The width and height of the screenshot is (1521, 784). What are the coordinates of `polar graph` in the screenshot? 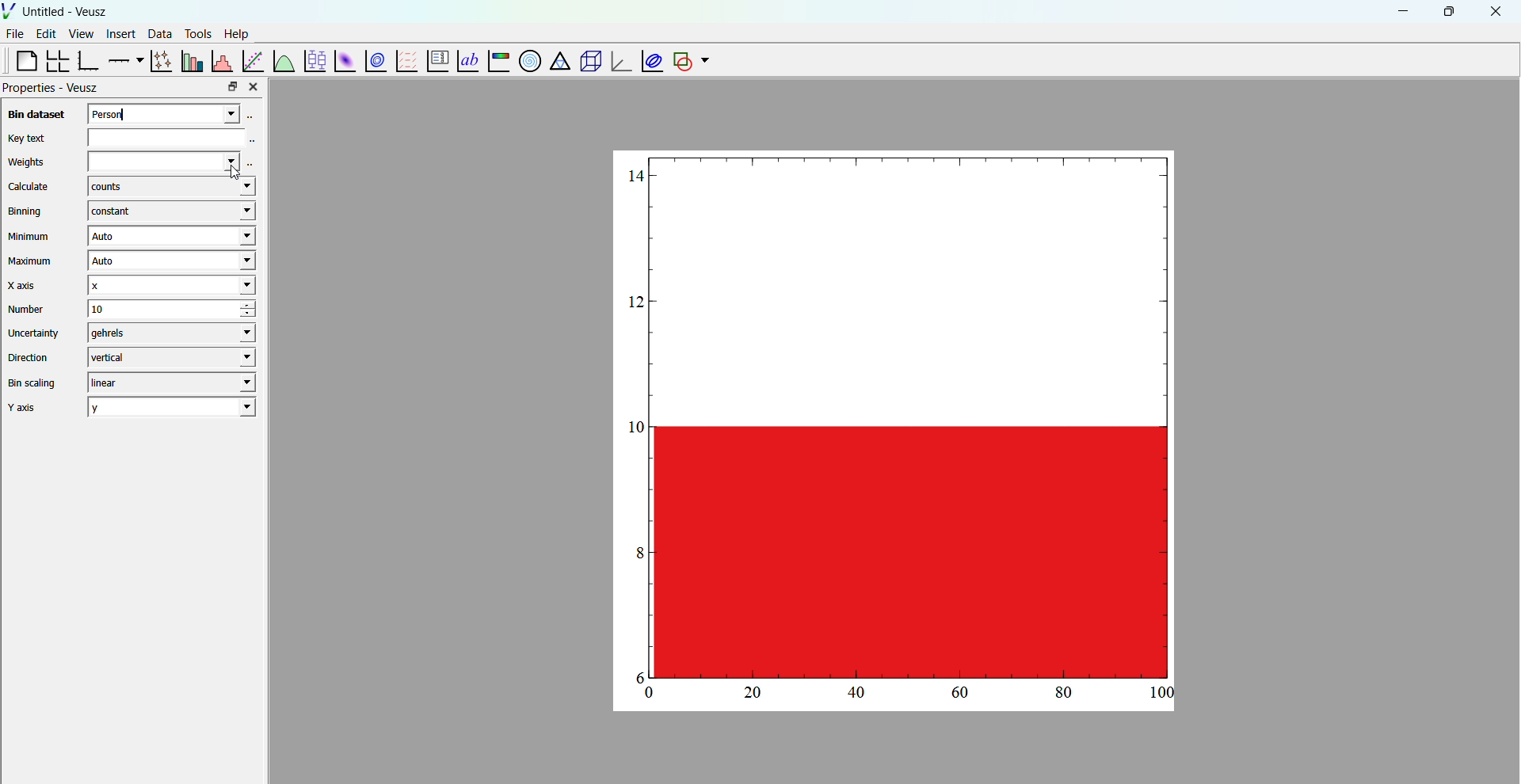 It's located at (527, 60).